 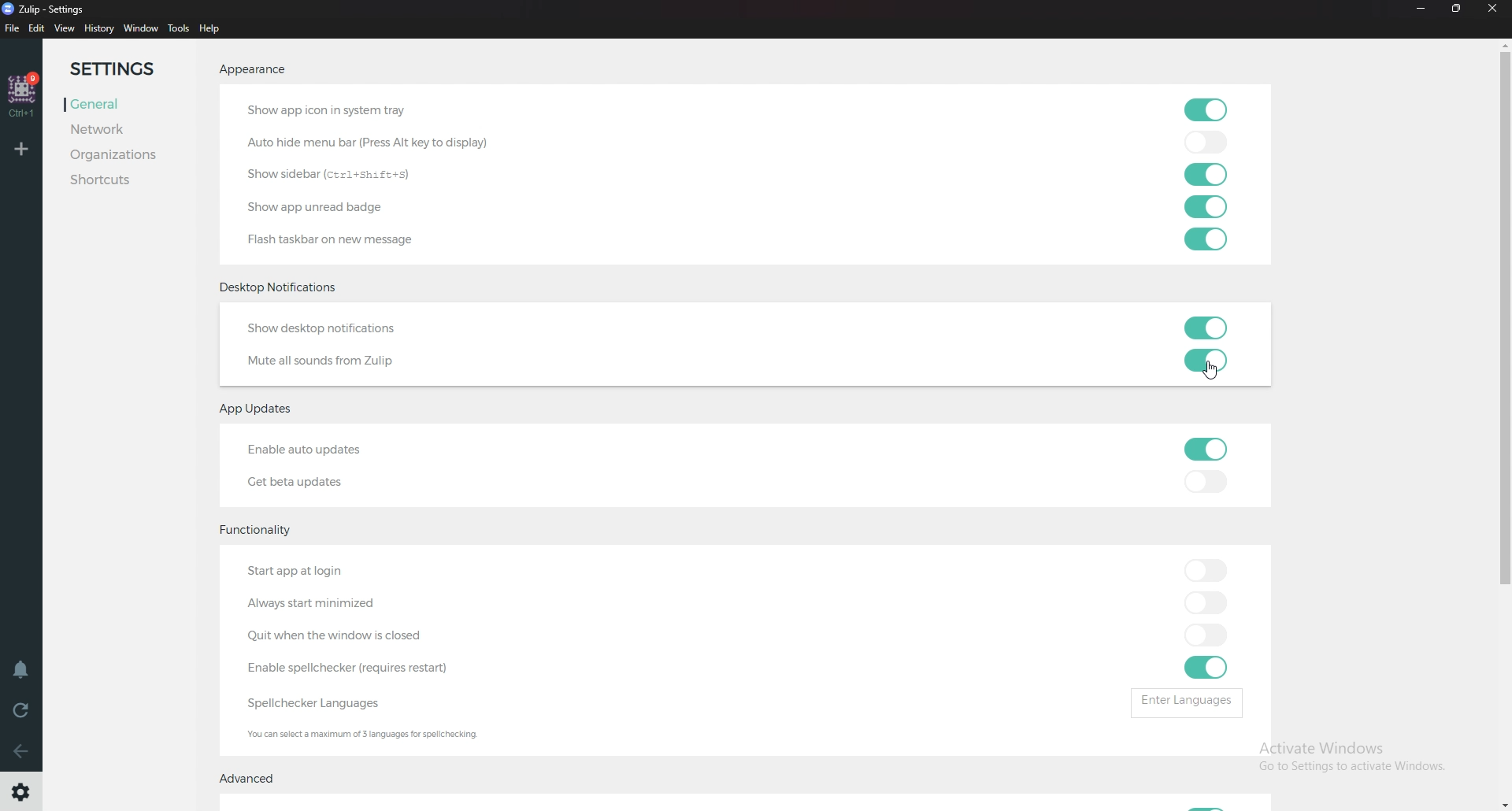 I want to click on Settings, so click(x=124, y=67).